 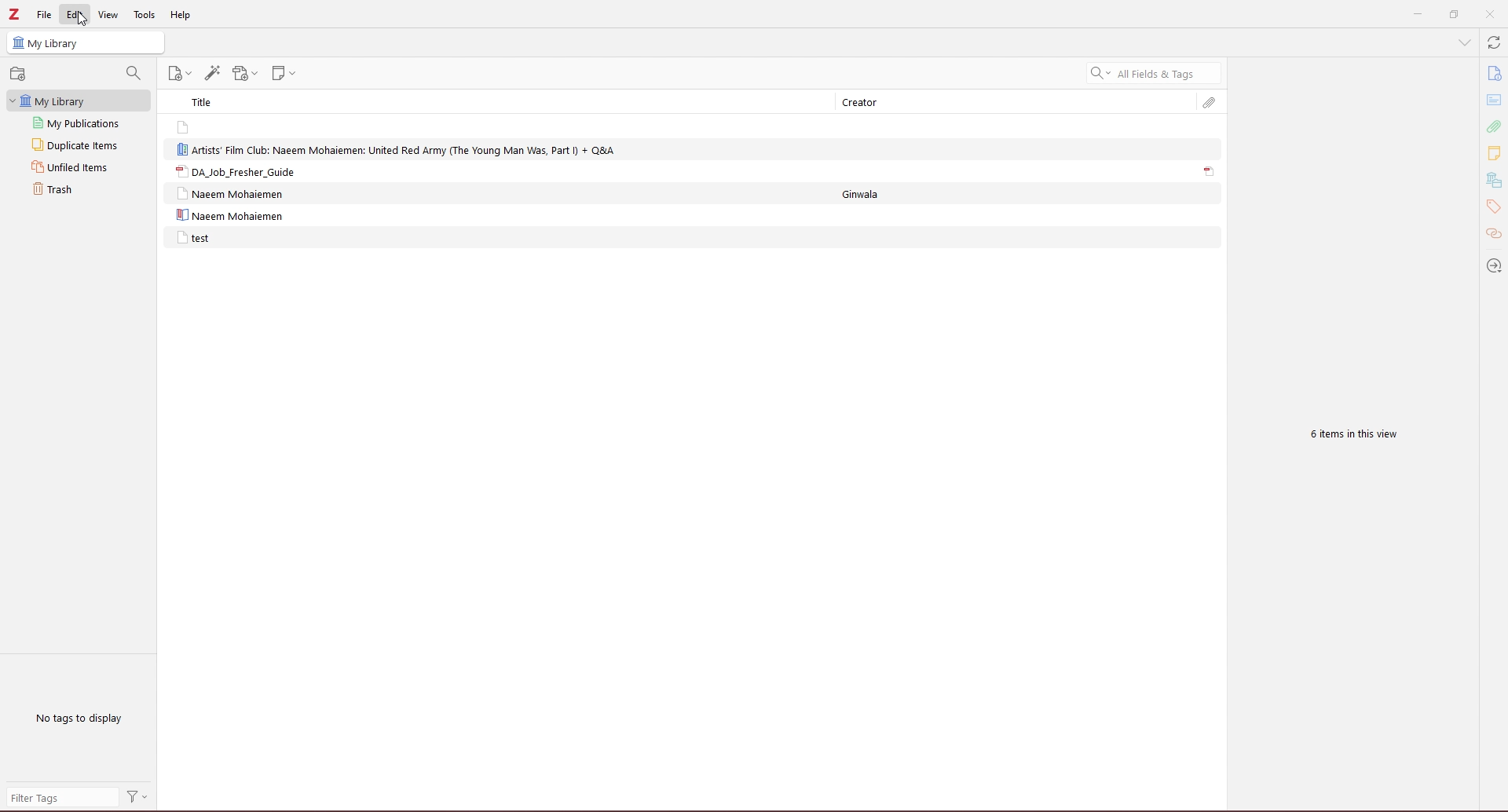 What do you see at coordinates (213, 73) in the screenshot?
I see `add items by identifier` at bounding box center [213, 73].